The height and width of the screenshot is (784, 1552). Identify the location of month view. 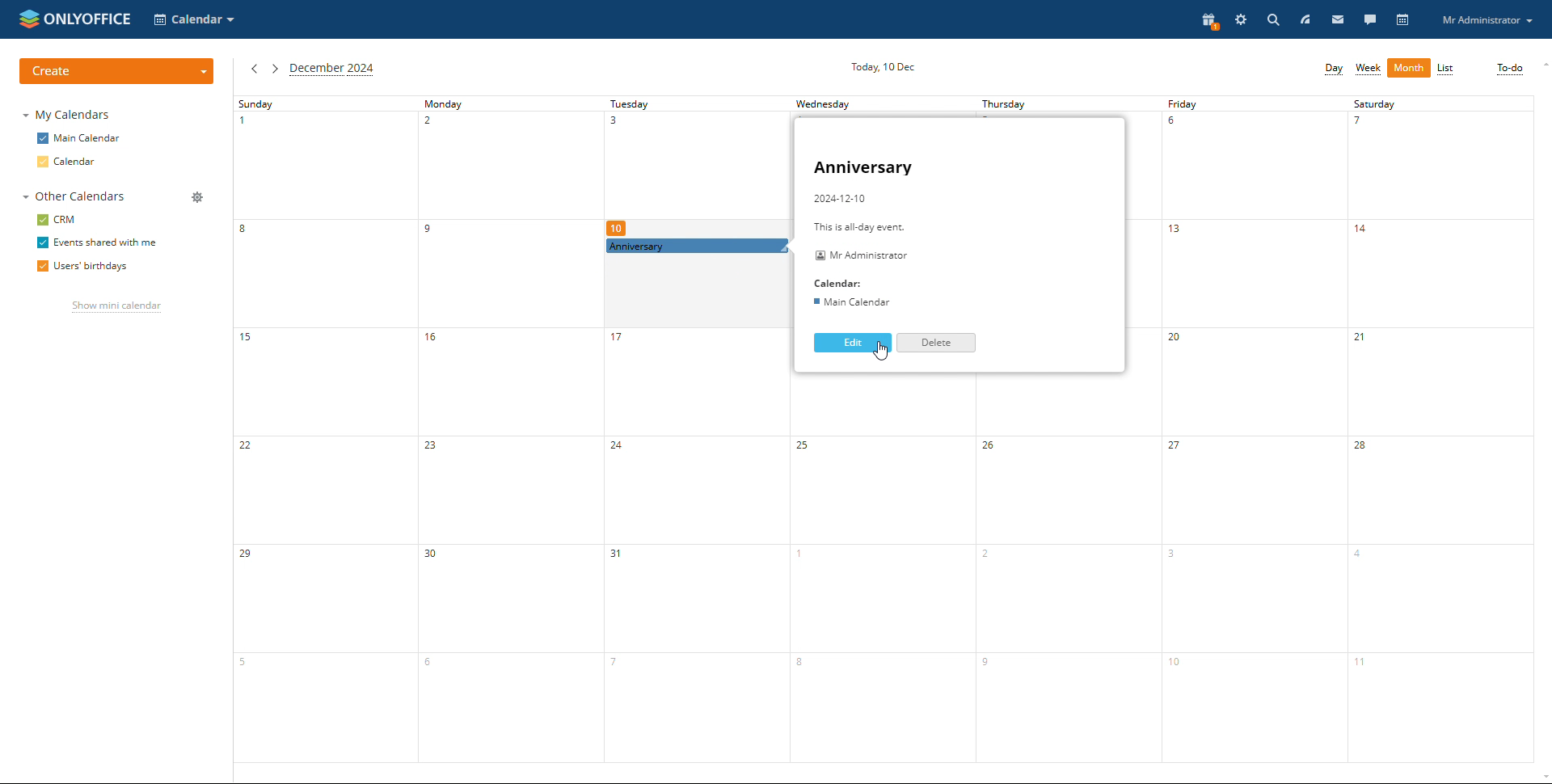
(1409, 68).